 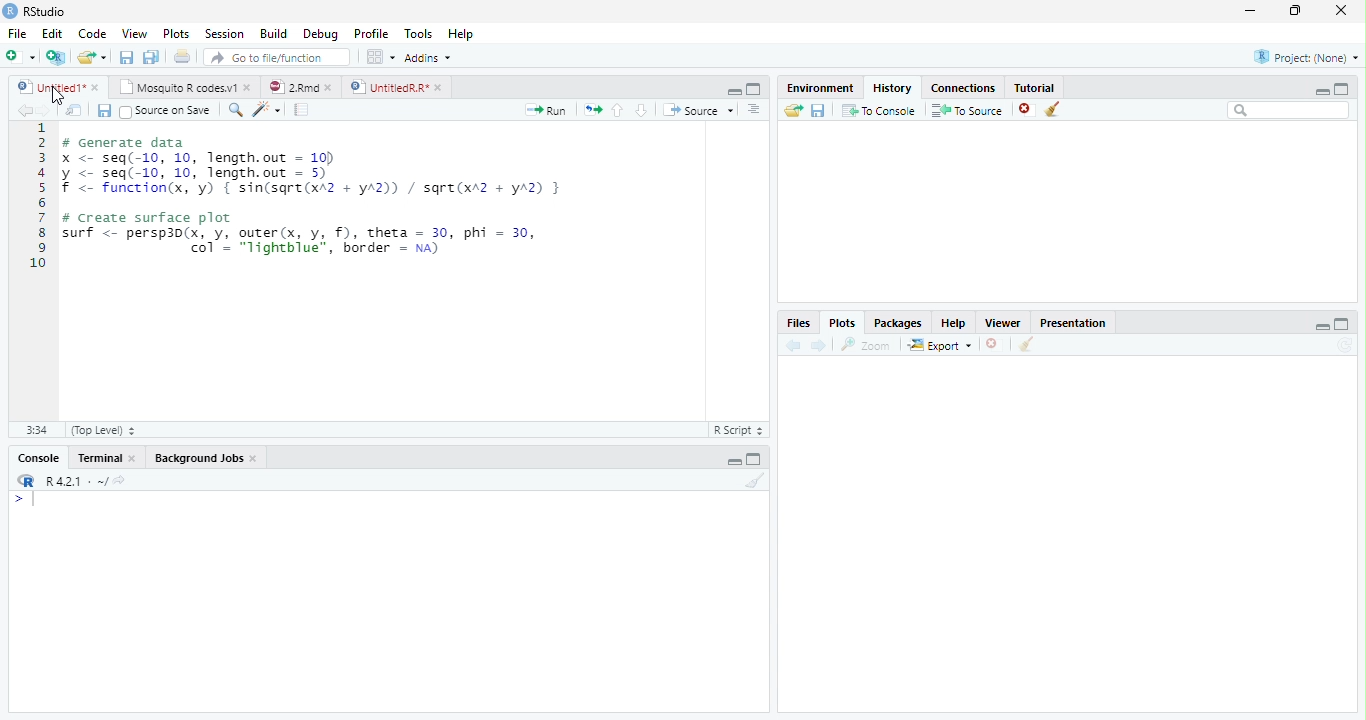 I want to click on RStudio, so click(x=34, y=11).